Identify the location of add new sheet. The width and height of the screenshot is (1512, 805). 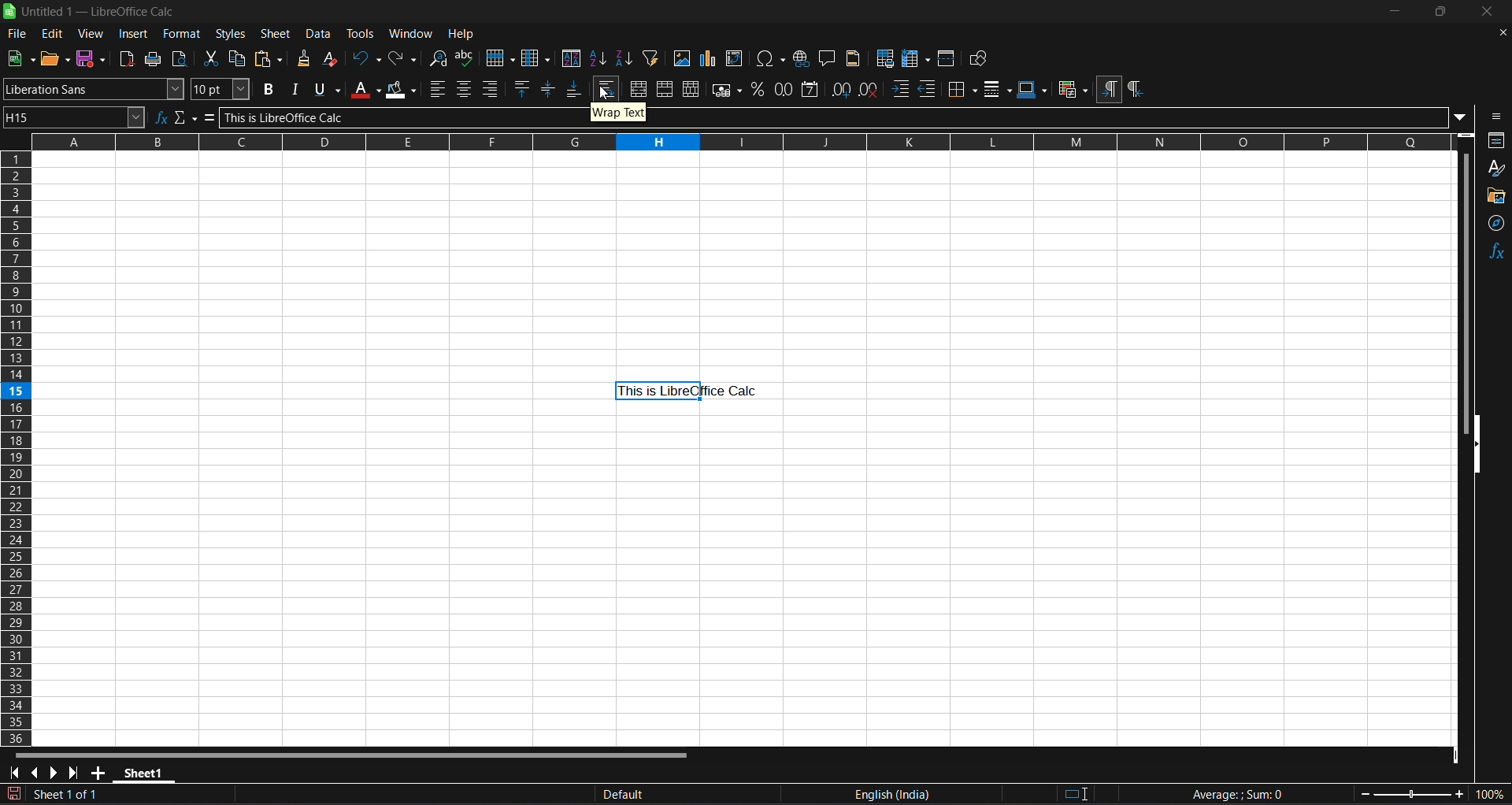
(101, 772).